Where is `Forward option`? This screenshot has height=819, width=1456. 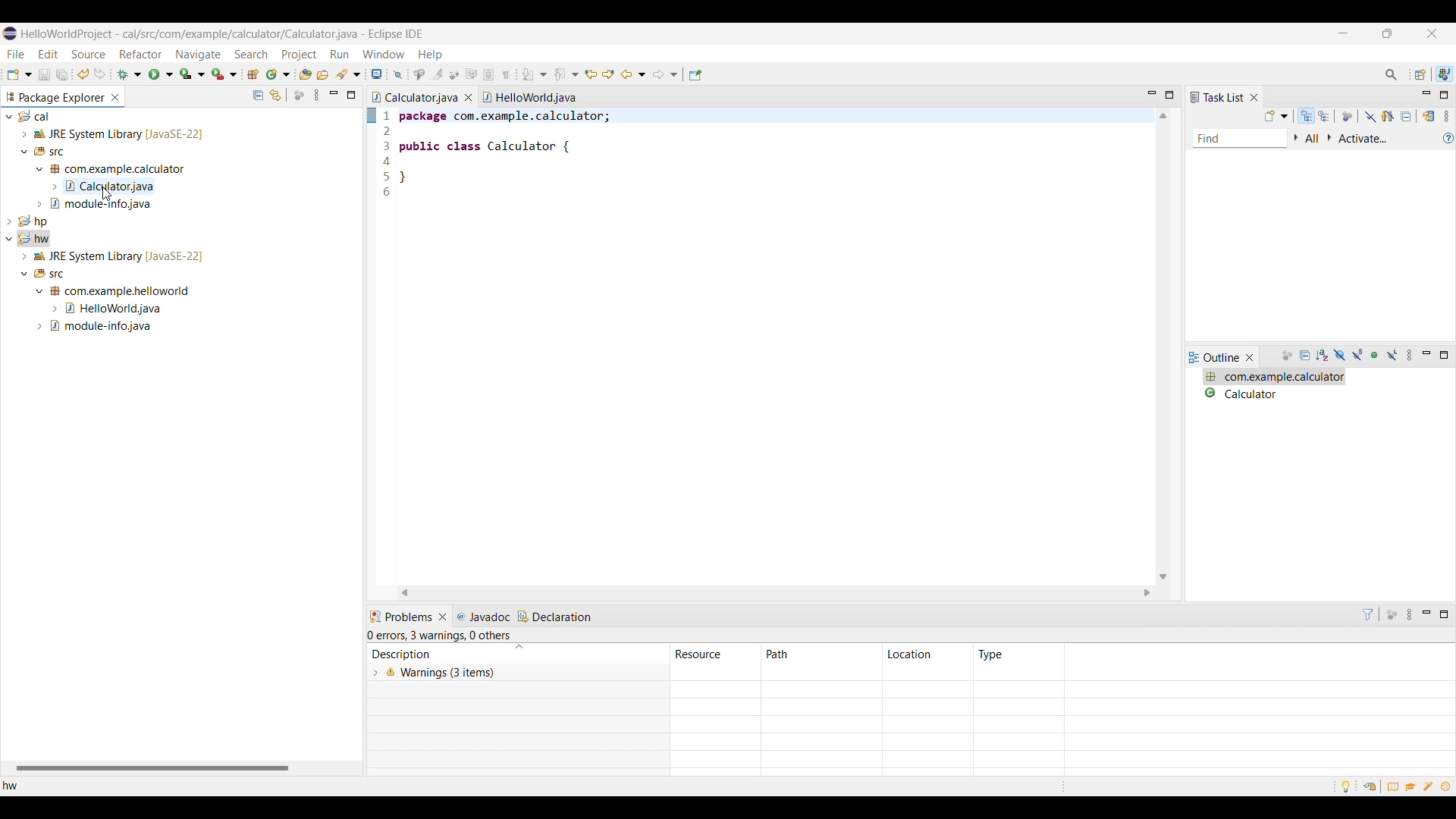
Forward option is located at coordinates (665, 74).